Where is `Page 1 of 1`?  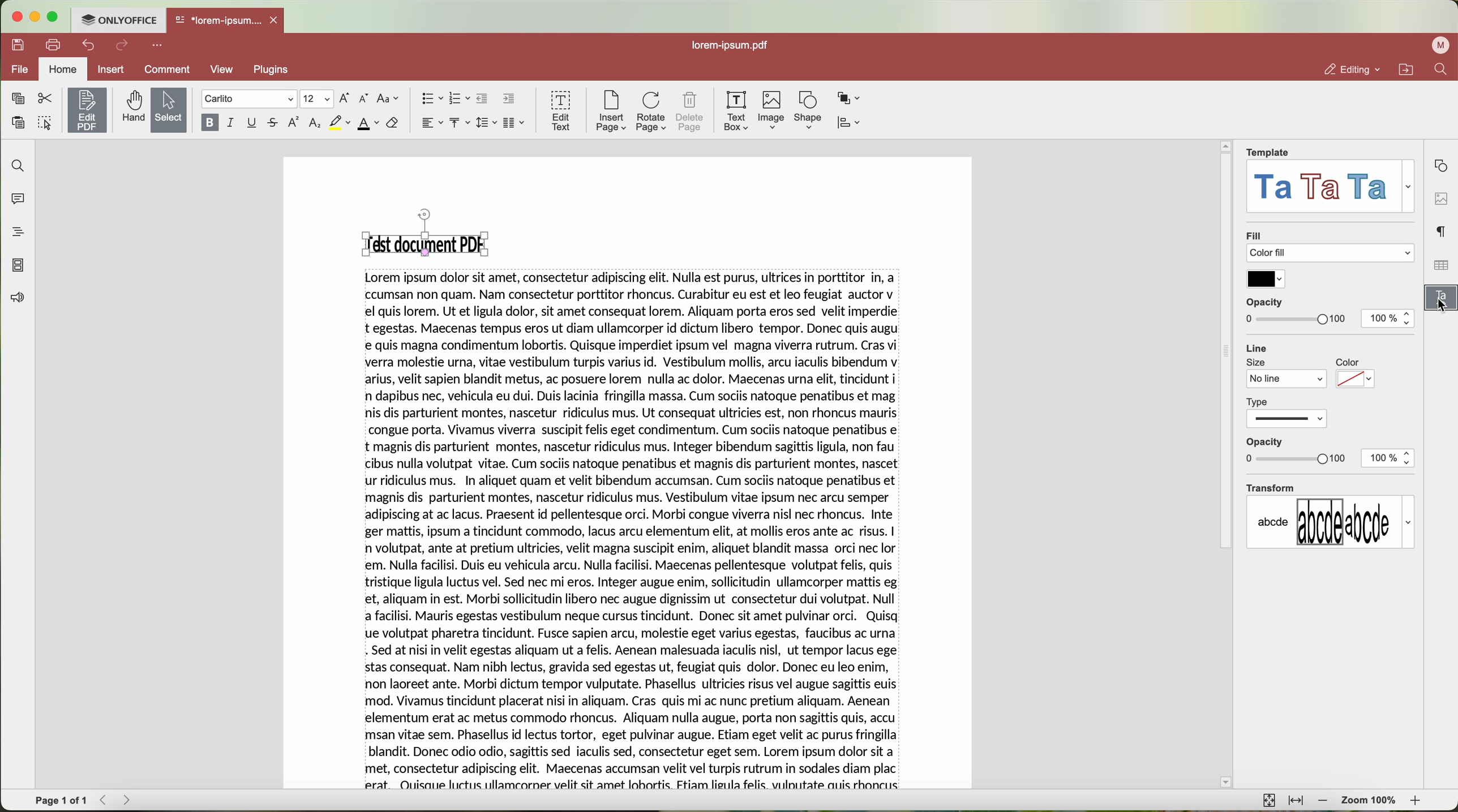
Page 1 of 1 is located at coordinates (61, 801).